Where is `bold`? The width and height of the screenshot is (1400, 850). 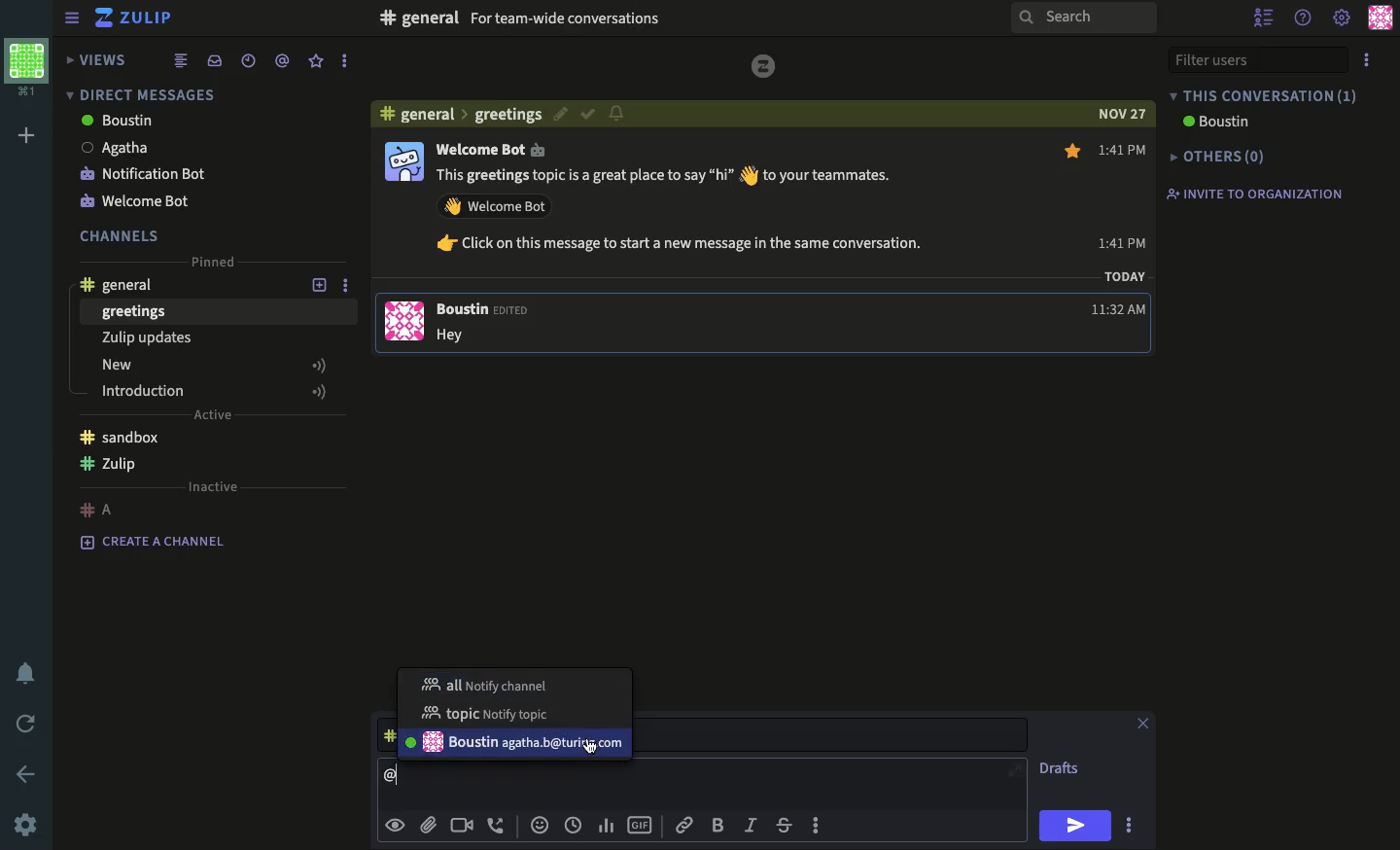
bold is located at coordinates (718, 826).